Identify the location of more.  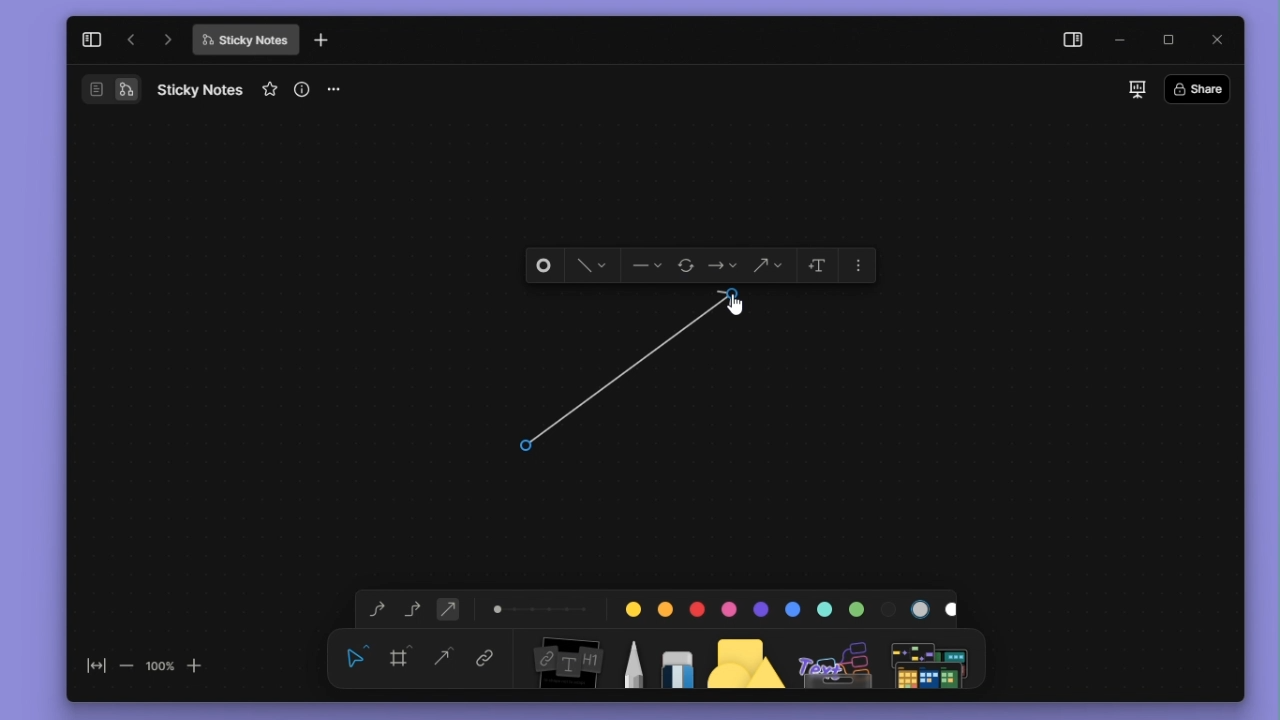
(933, 658).